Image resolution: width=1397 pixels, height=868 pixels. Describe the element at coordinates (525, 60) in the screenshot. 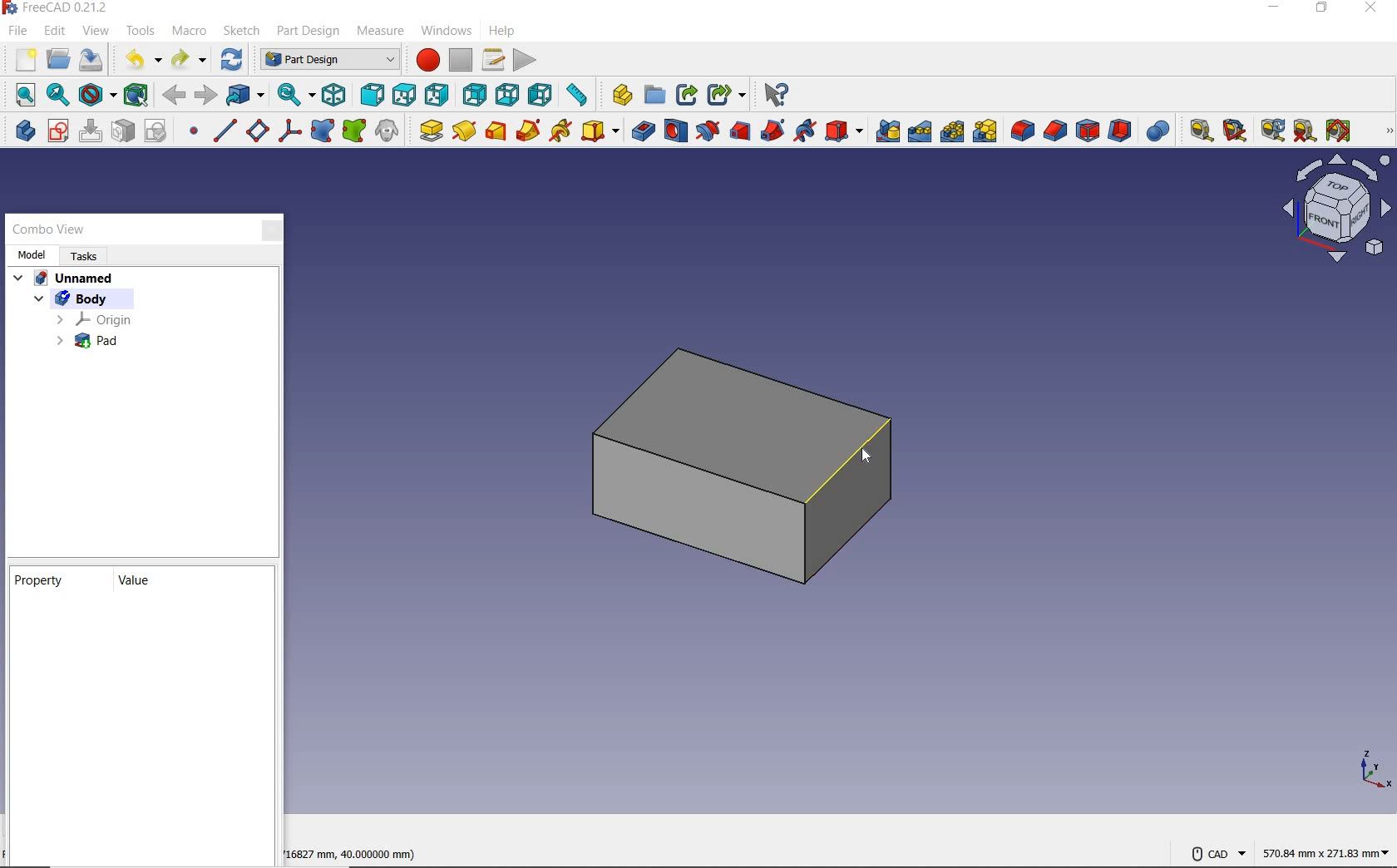

I see `execute macro` at that location.